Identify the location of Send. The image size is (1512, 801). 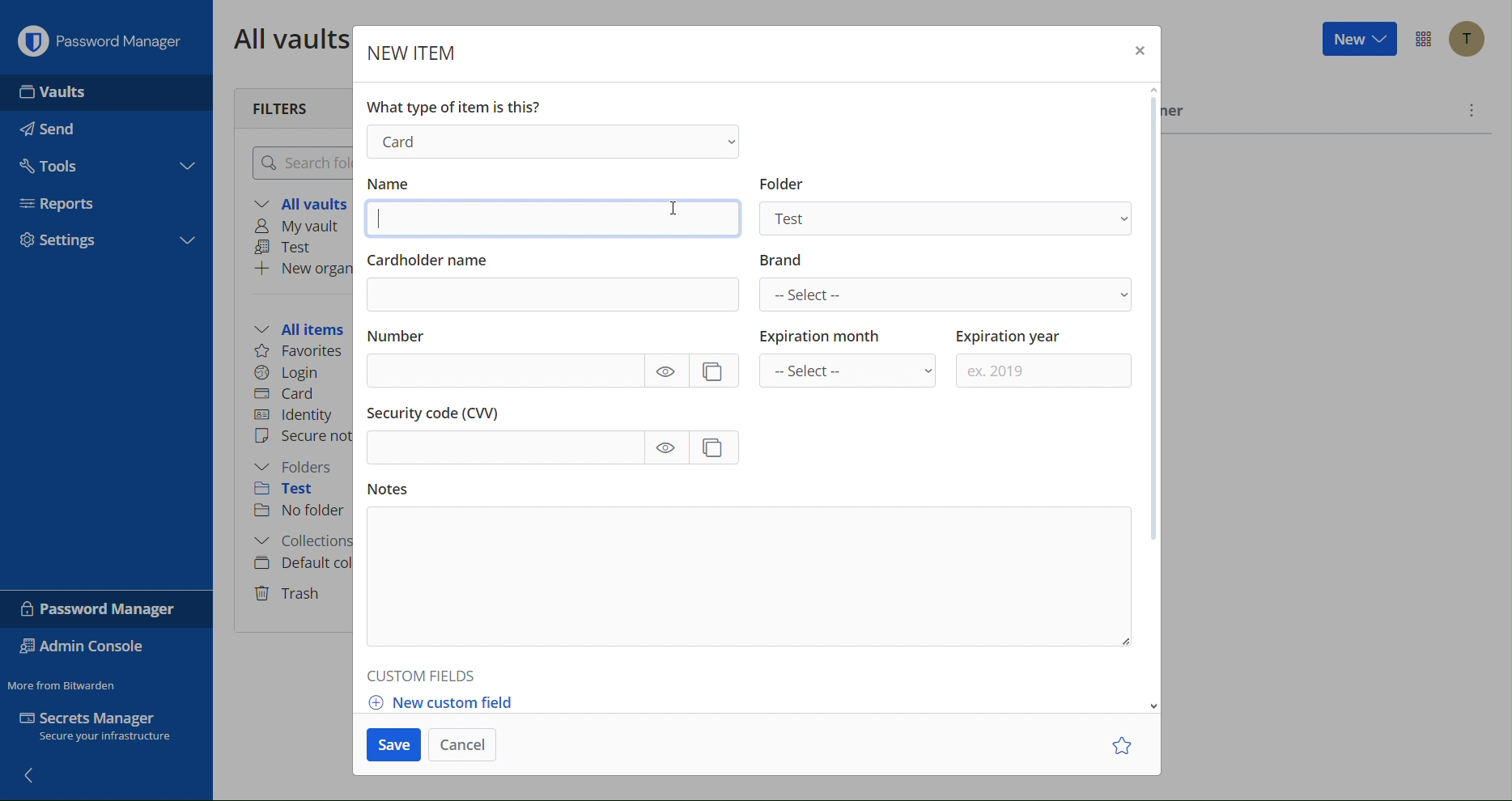
(54, 131).